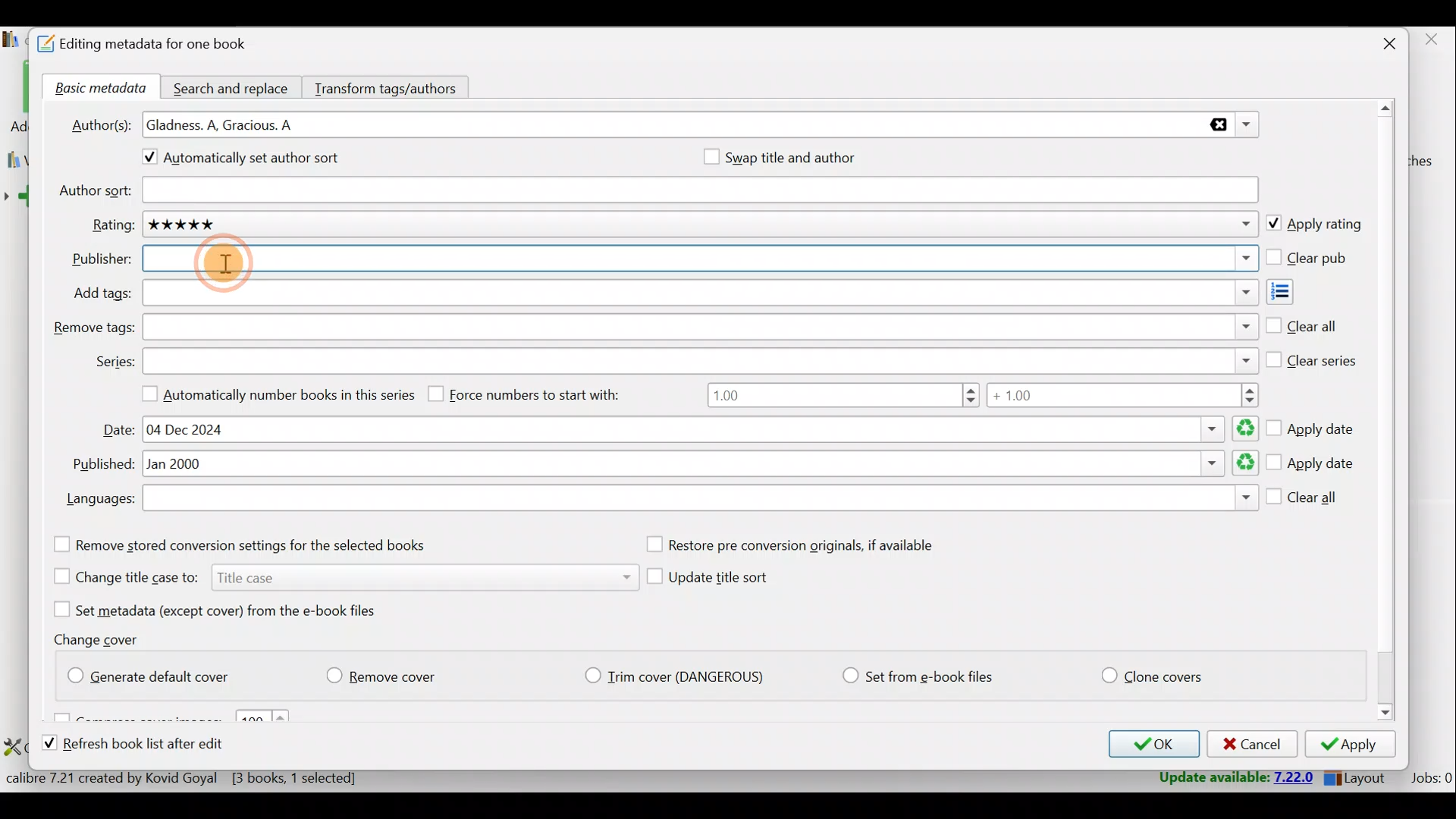 The height and width of the screenshot is (819, 1456). I want to click on Remove stored conversion settings for the selected books, so click(260, 544).